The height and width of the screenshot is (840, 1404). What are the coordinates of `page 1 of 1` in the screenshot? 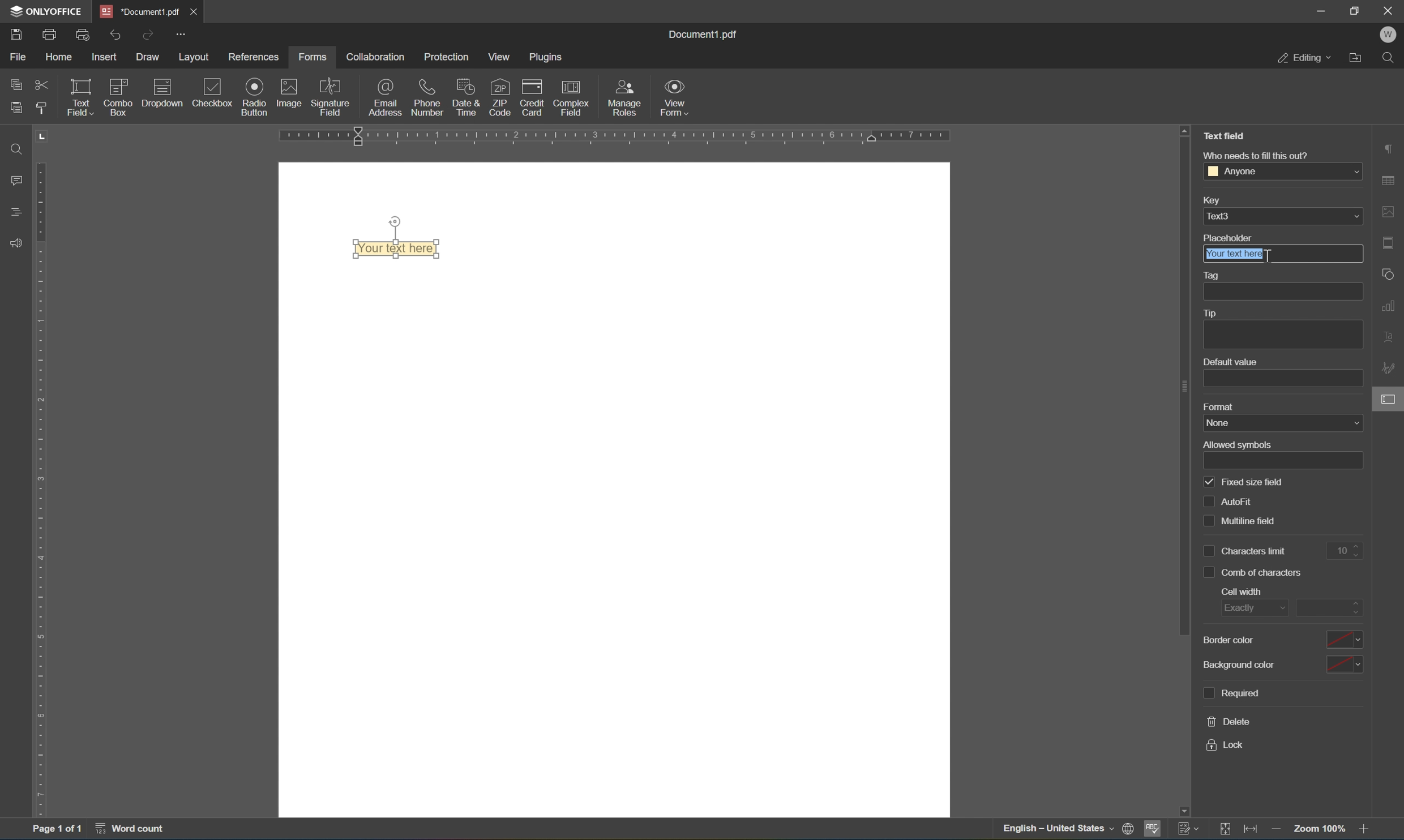 It's located at (53, 829).